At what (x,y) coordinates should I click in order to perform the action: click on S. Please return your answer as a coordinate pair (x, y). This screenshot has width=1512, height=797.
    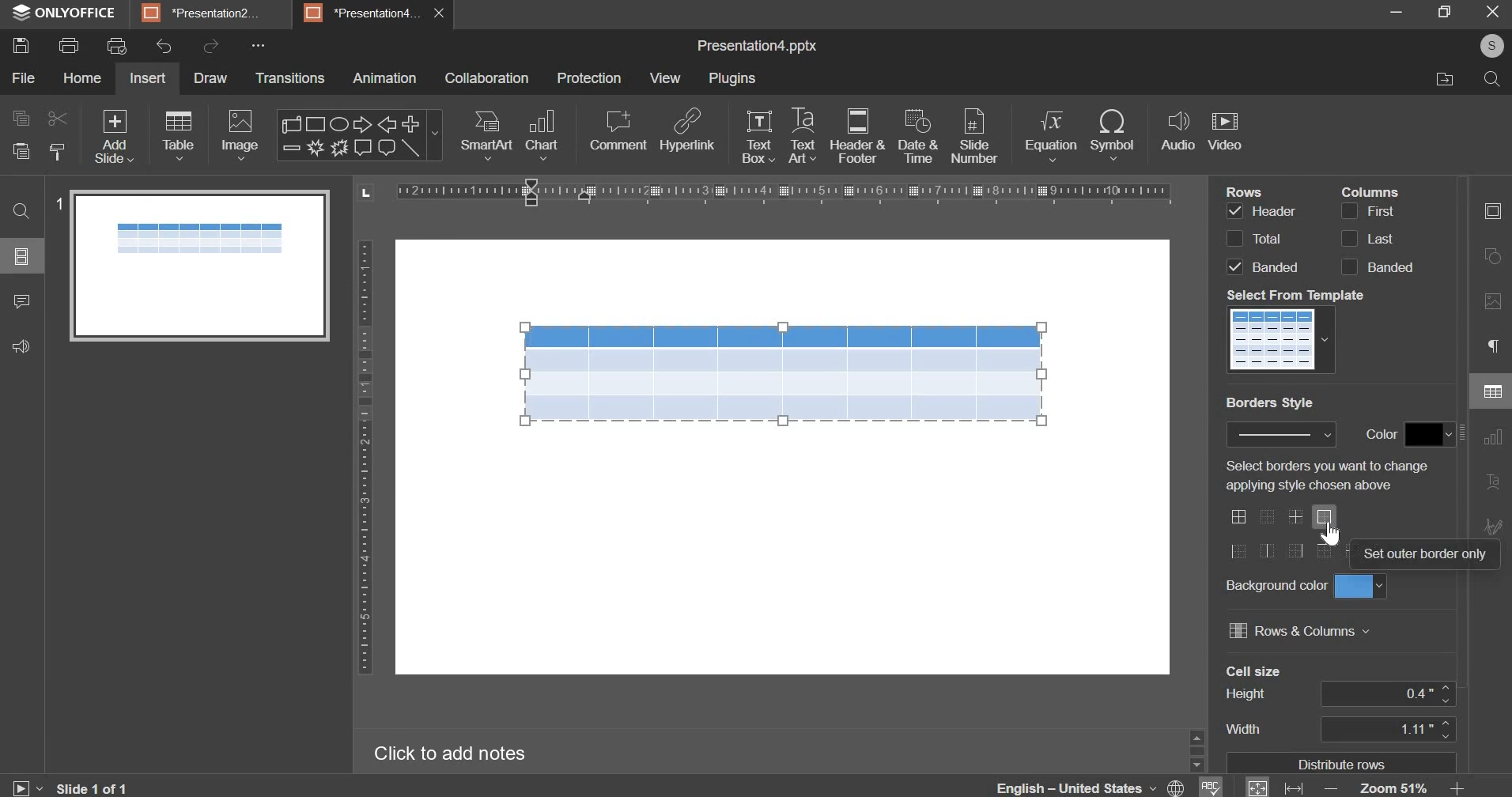
    Looking at the image, I should click on (1491, 47).